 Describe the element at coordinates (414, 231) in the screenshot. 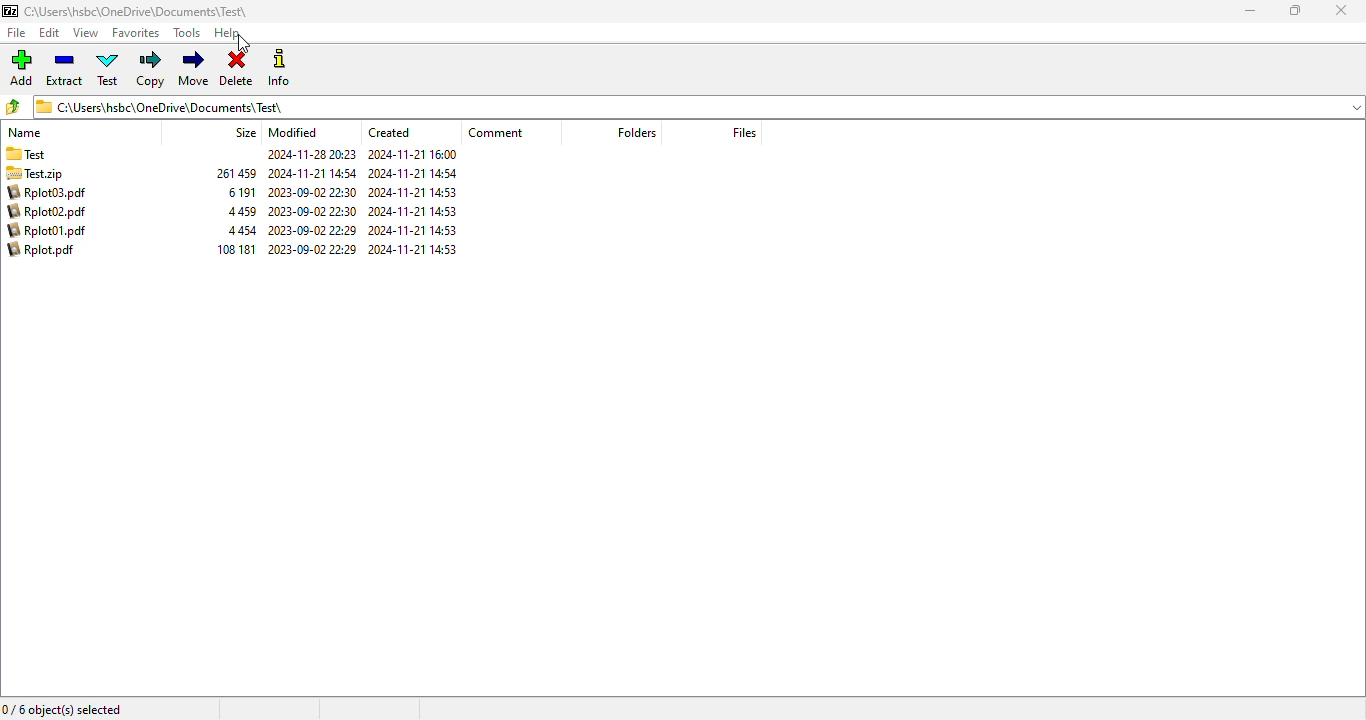

I see `2024-11-21 14:53` at that location.